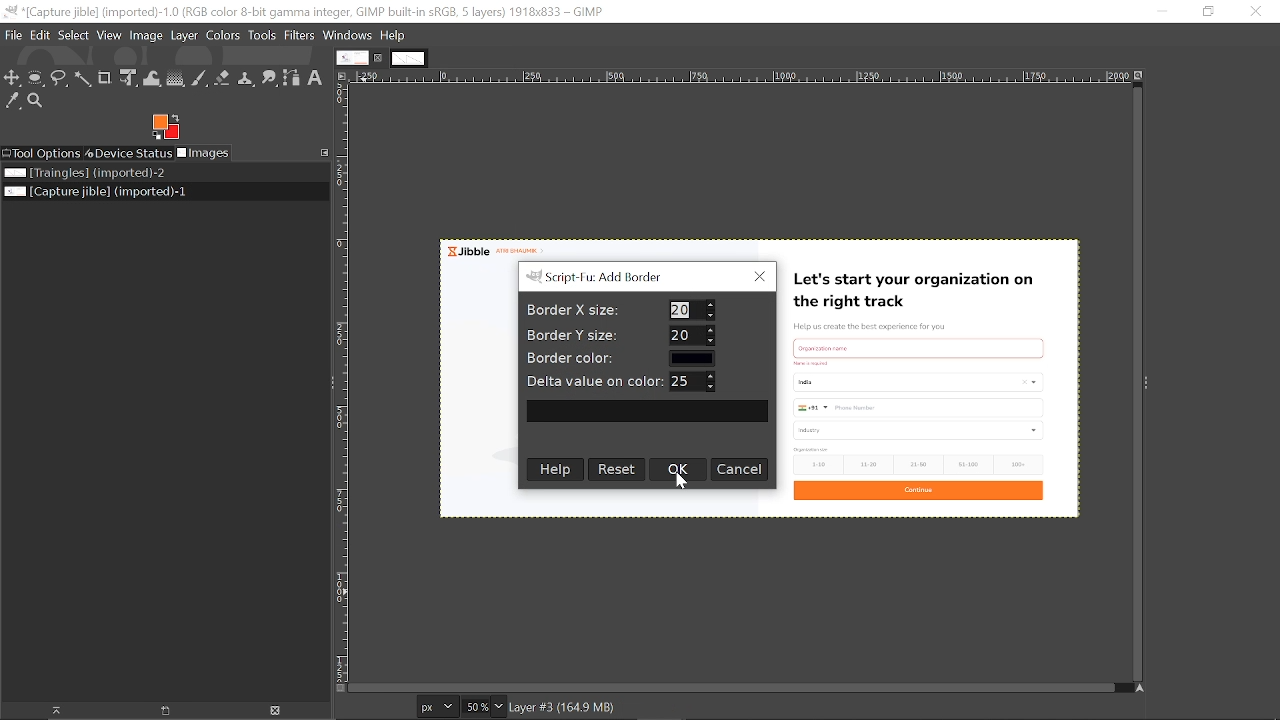 The image size is (1280, 720). I want to click on Images, so click(205, 153).